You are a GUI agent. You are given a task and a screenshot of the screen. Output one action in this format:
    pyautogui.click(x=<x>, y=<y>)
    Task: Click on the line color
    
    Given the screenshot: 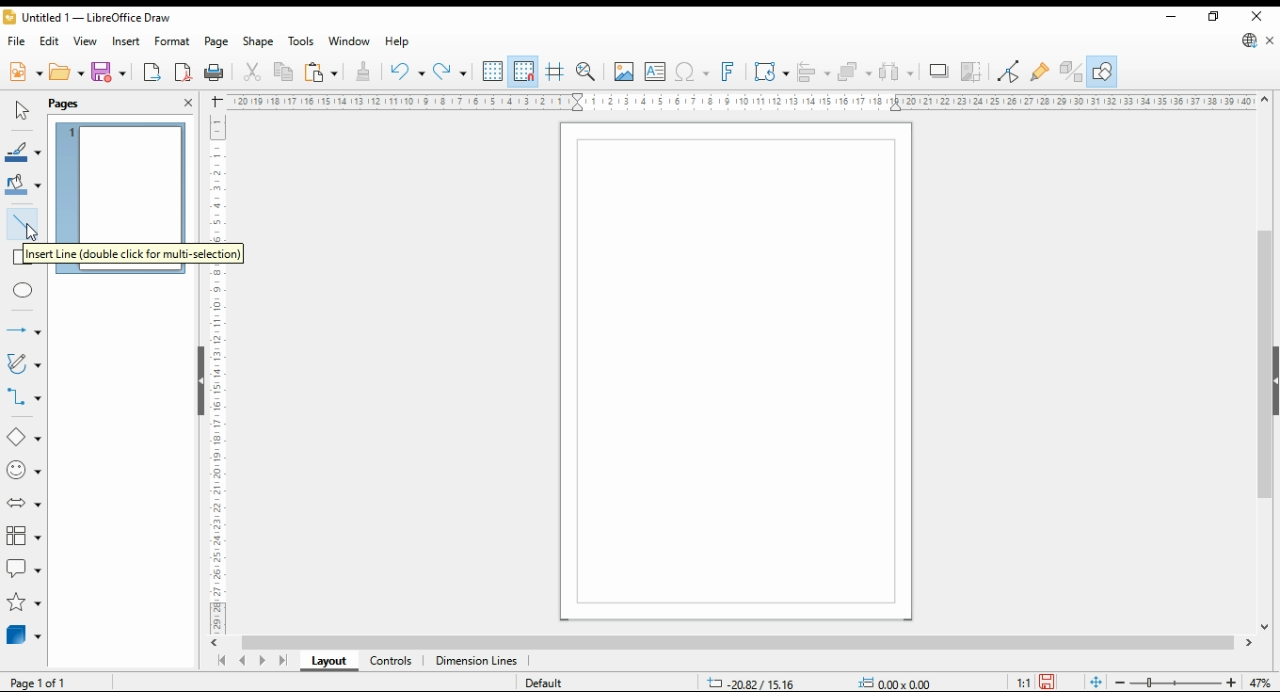 What is the action you would take?
    pyautogui.click(x=22, y=153)
    